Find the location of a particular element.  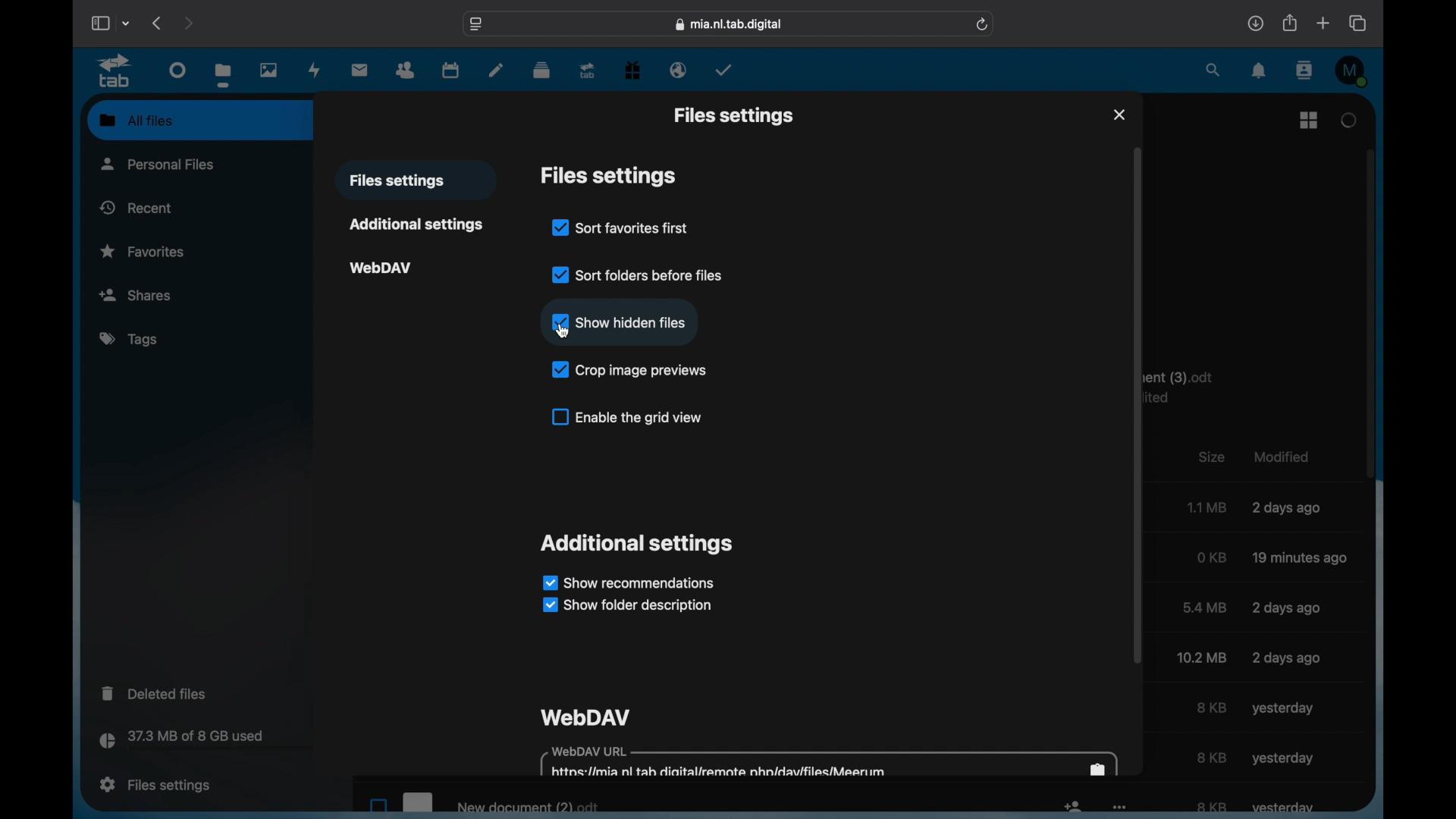

tags is located at coordinates (130, 340).